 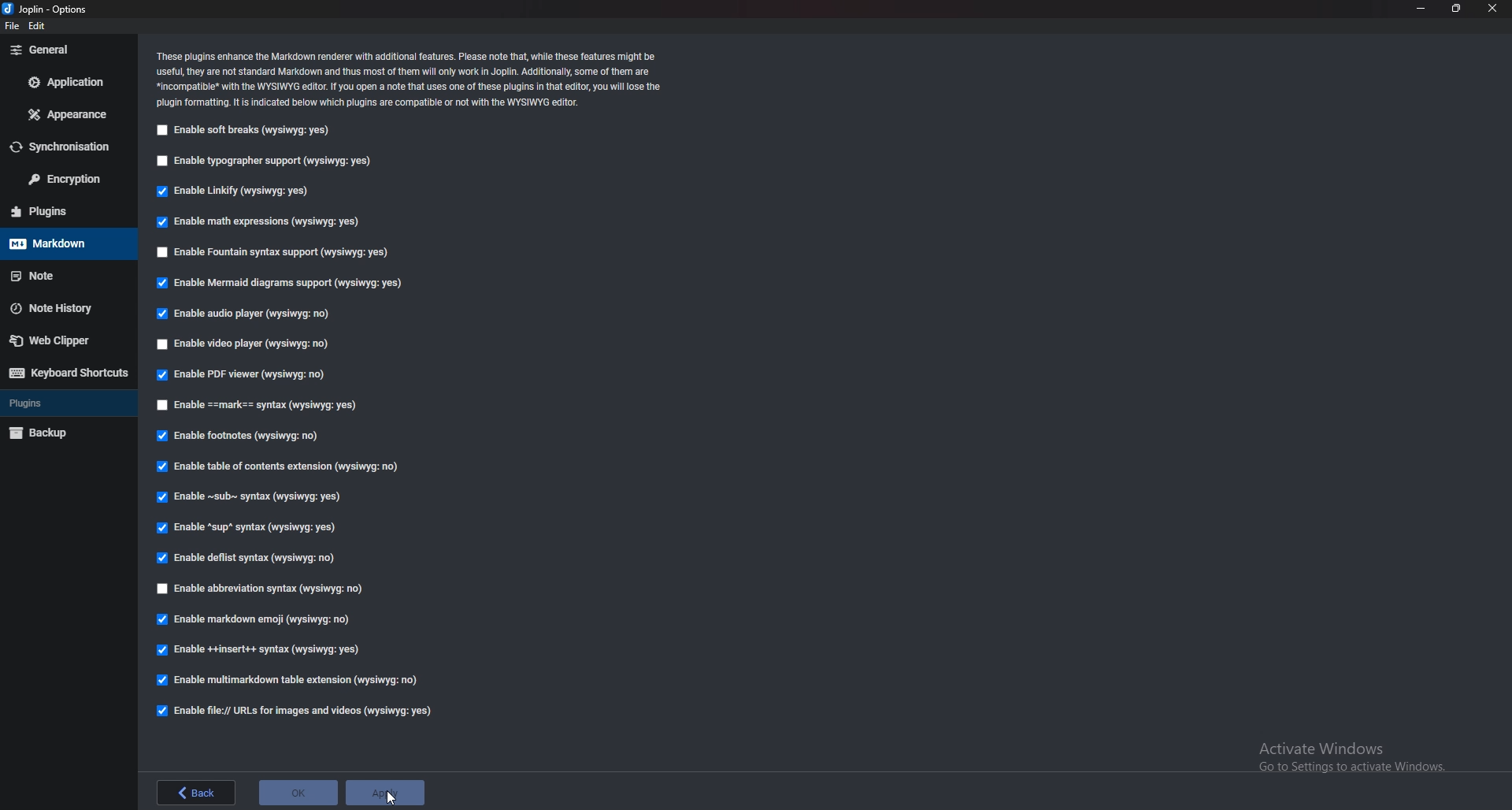 What do you see at coordinates (1457, 9) in the screenshot?
I see `resize` at bounding box center [1457, 9].